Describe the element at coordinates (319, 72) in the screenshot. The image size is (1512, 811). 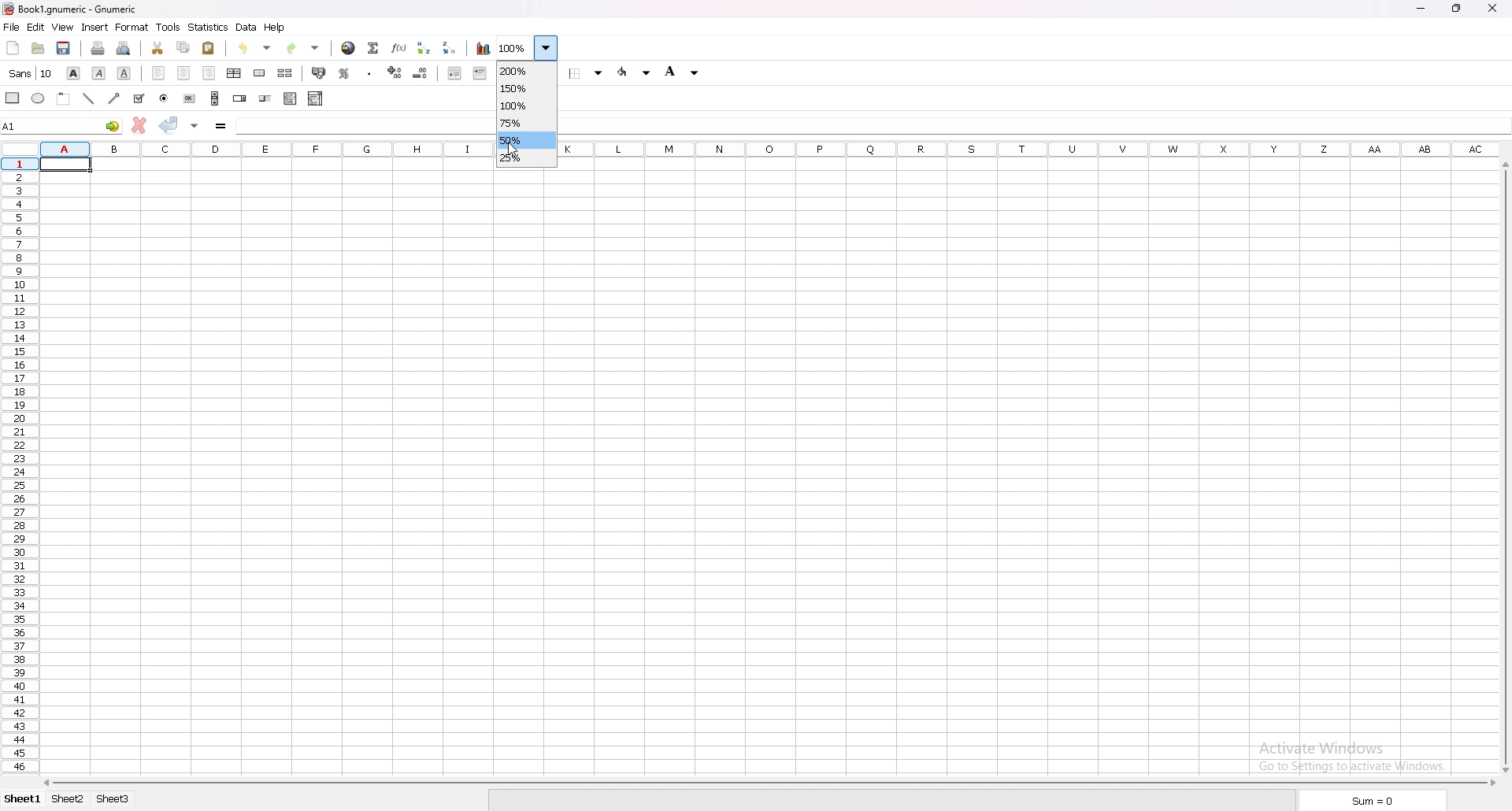
I see `accounting` at that location.